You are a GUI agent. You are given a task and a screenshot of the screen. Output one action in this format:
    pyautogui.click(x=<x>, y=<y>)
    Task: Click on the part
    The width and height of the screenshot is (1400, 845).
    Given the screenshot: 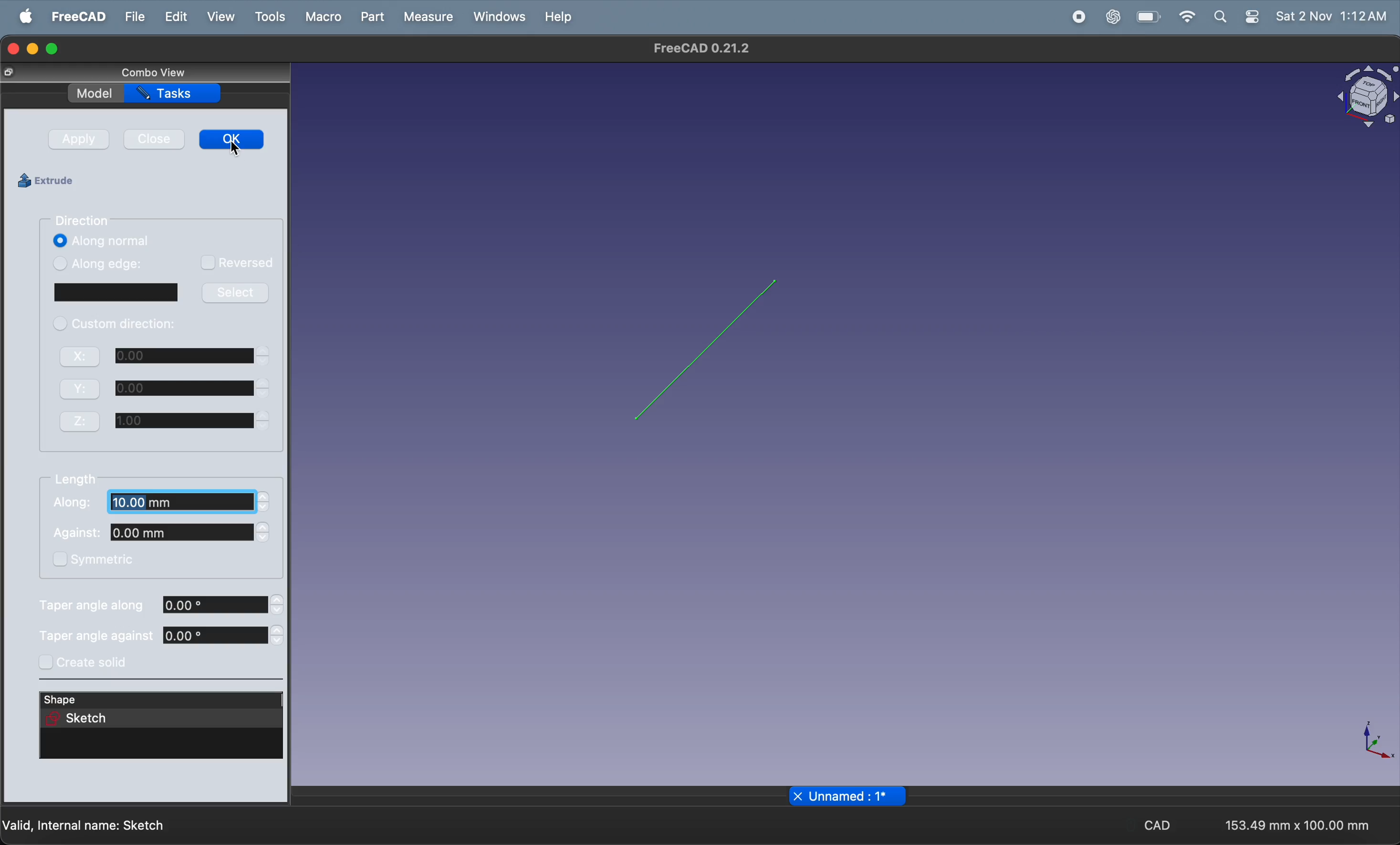 What is the action you would take?
    pyautogui.click(x=371, y=18)
    